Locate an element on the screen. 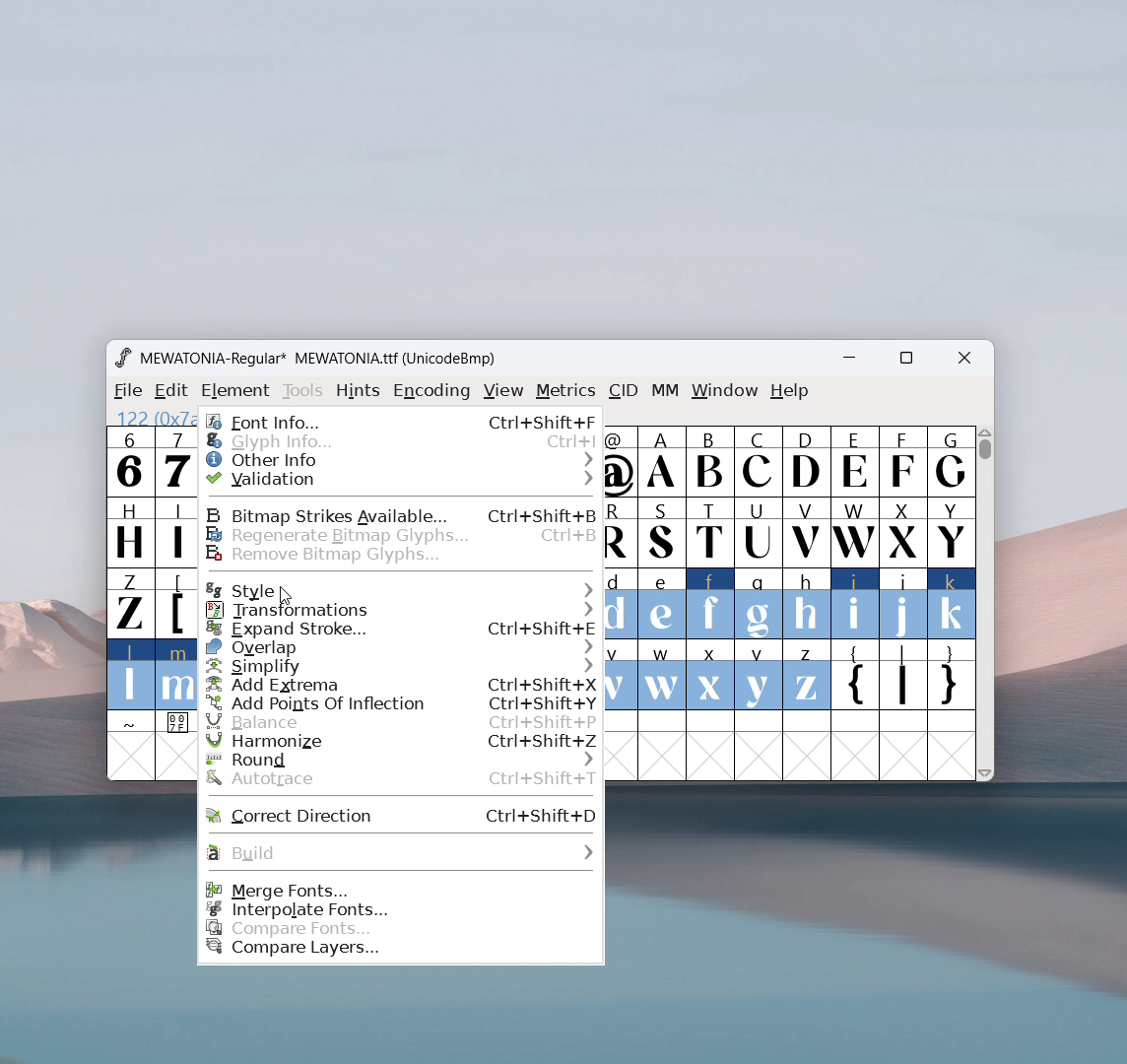  7 is located at coordinates (175, 461).